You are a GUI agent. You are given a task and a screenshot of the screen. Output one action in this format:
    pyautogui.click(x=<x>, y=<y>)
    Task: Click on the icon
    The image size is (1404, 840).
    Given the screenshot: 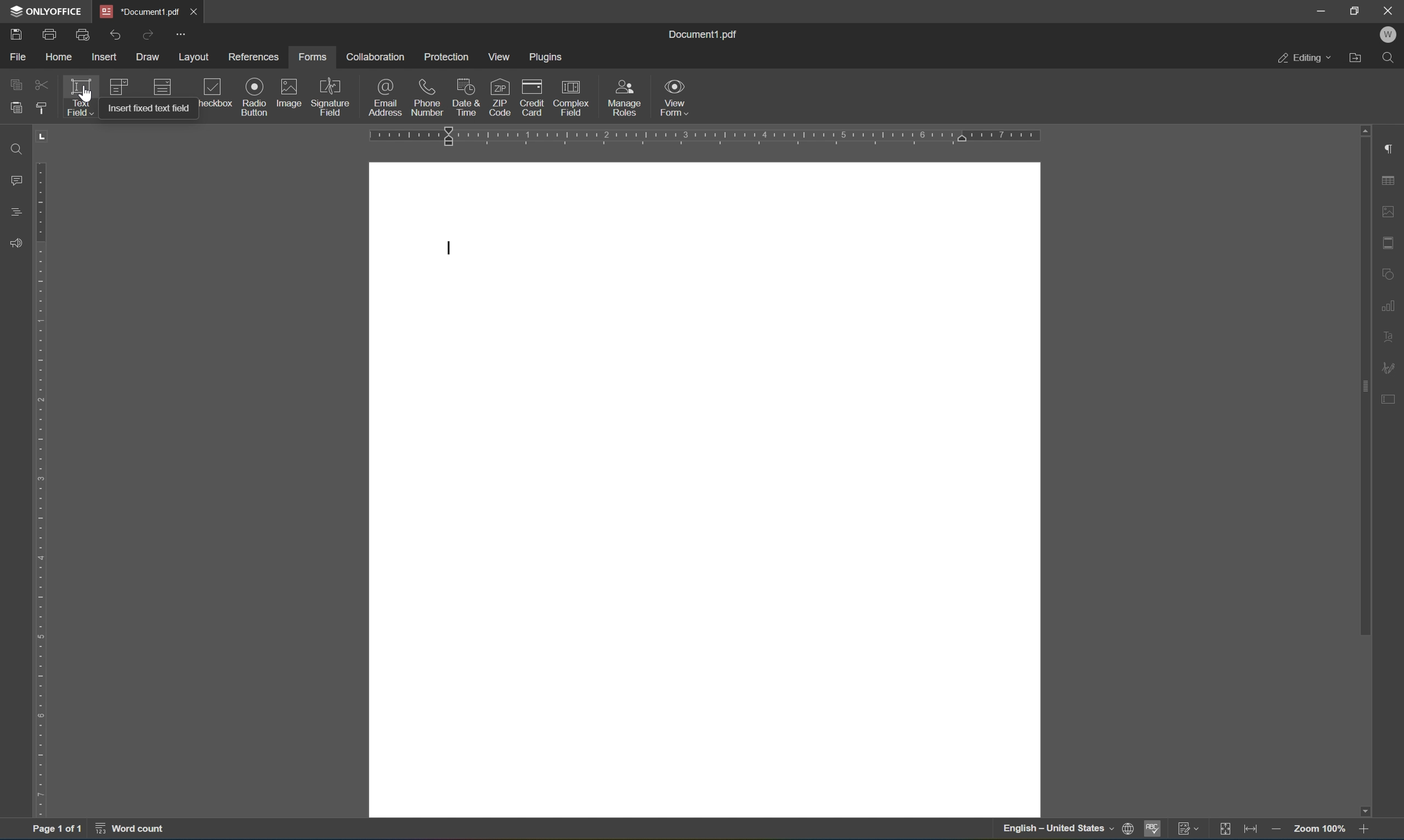 What is the action you would take?
    pyautogui.click(x=117, y=86)
    